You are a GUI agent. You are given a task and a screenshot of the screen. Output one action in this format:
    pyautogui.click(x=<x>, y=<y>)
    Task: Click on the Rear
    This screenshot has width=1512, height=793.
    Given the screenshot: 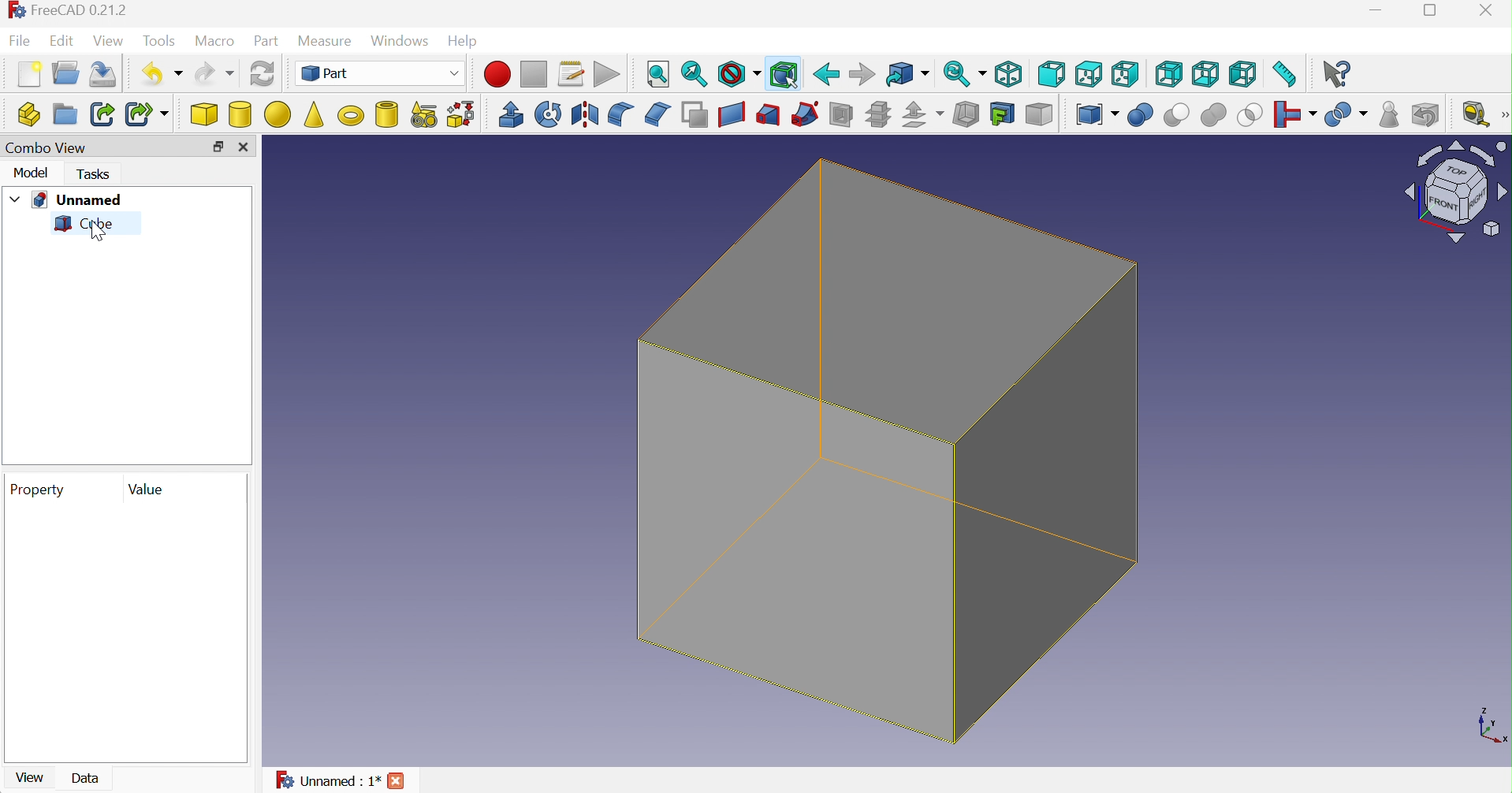 What is the action you would take?
    pyautogui.click(x=1170, y=74)
    